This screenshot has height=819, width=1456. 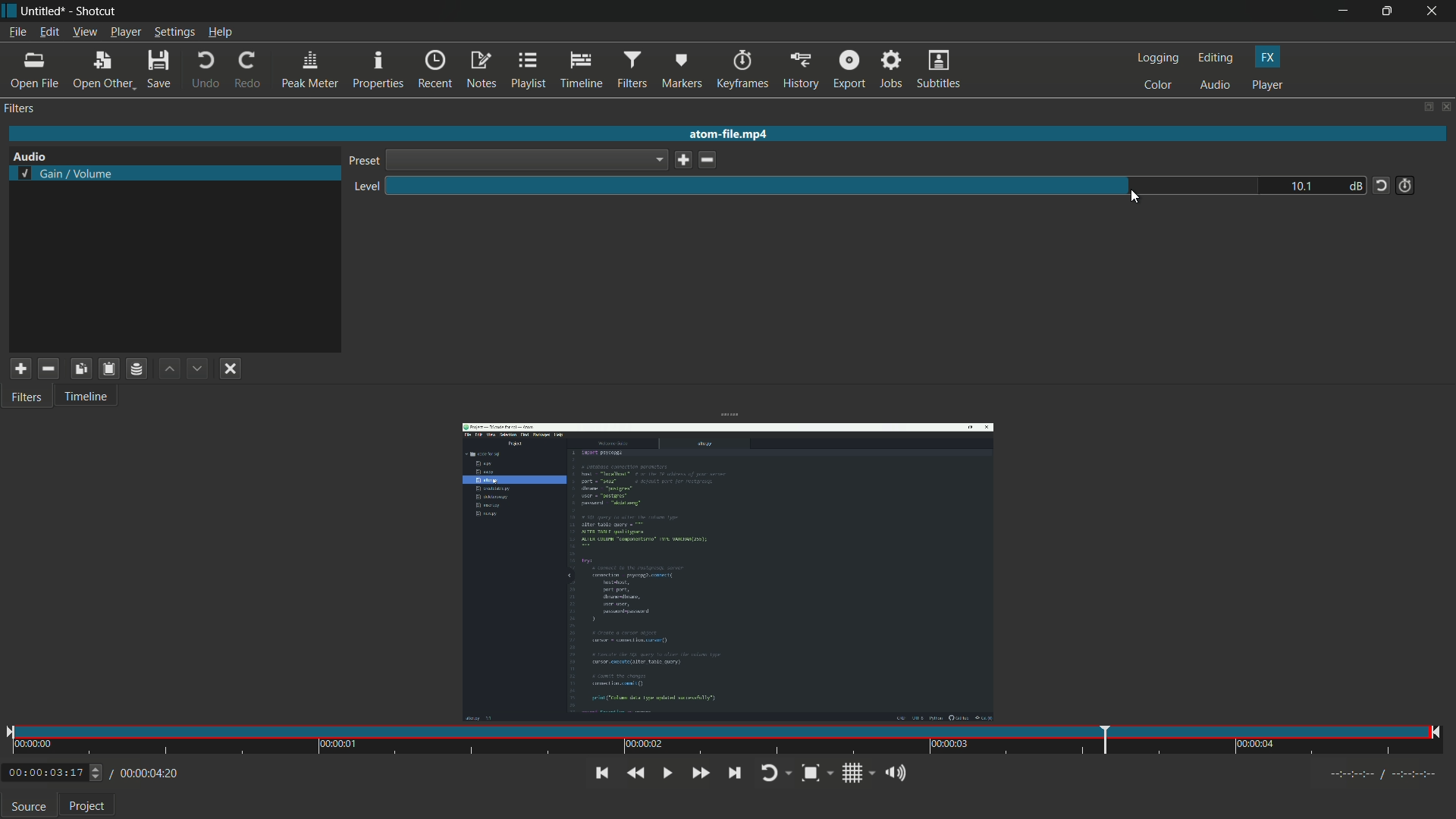 I want to click on markers, so click(x=681, y=71).